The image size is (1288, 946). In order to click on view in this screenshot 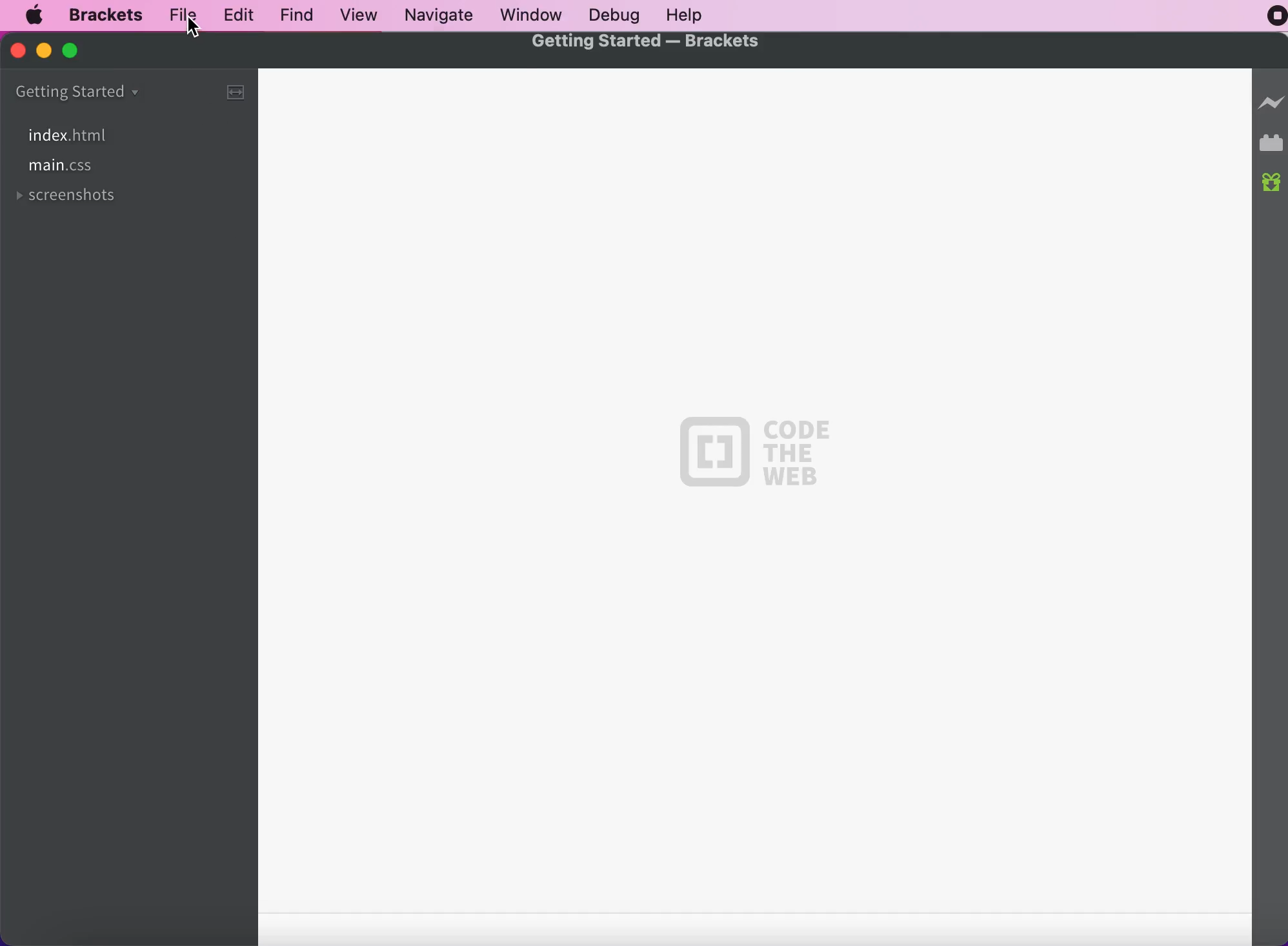, I will do `click(361, 14)`.